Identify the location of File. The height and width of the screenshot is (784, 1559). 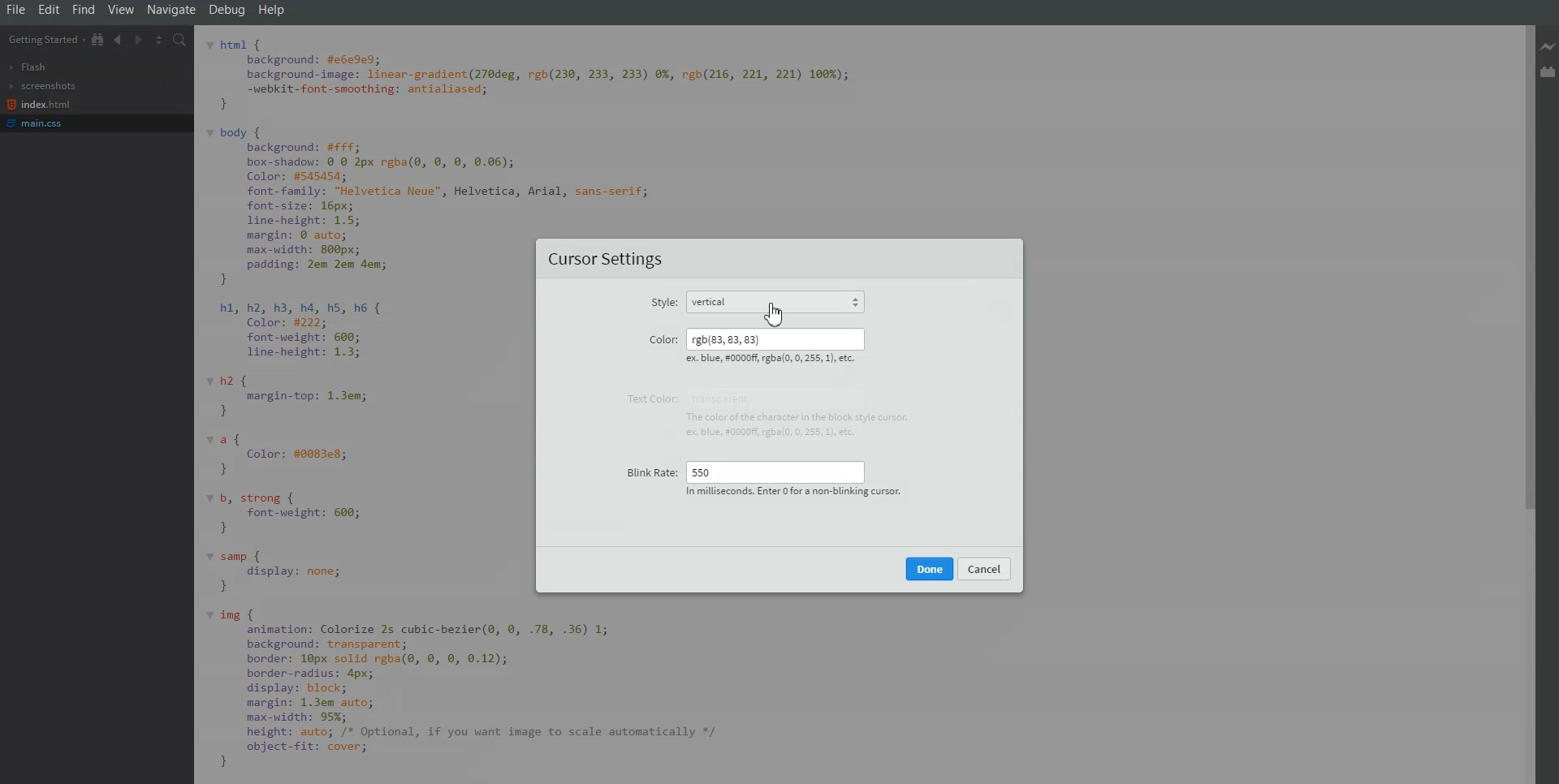
(15, 10).